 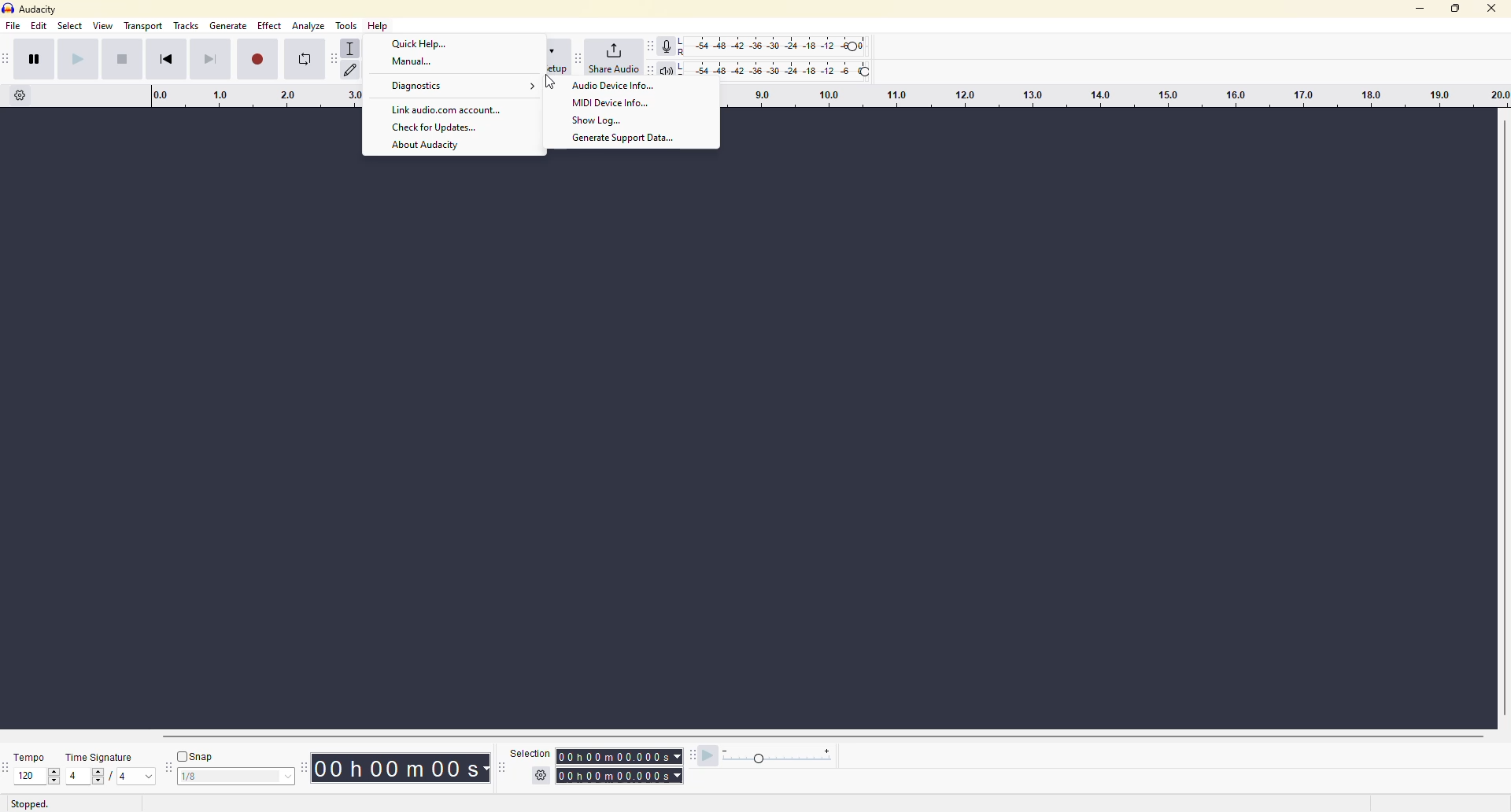 I want to click on play, so click(x=80, y=62).